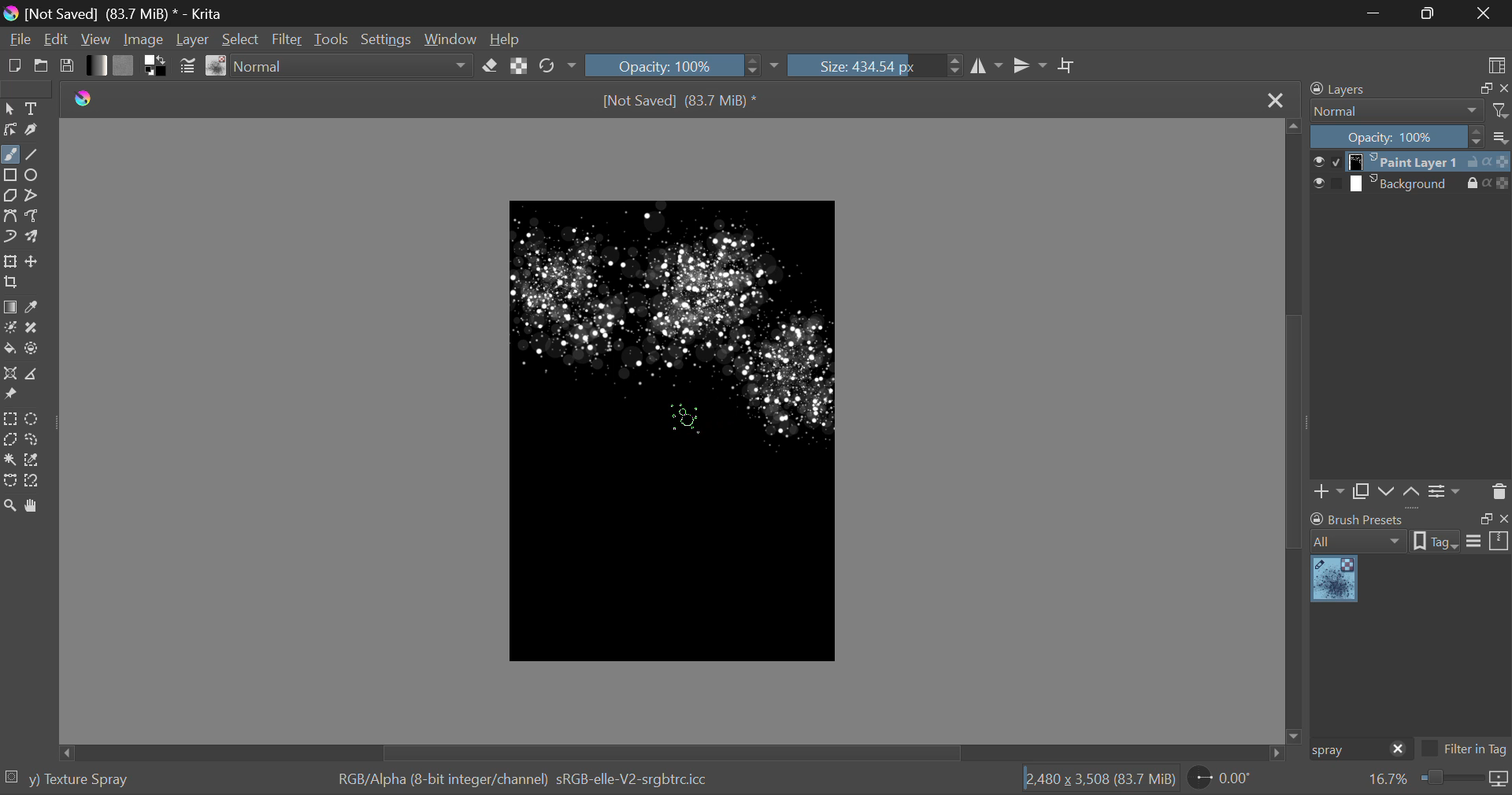  What do you see at coordinates (1378, 13) in the screenshot?
I see `Restore Down` at bounding box center [1378, 13].